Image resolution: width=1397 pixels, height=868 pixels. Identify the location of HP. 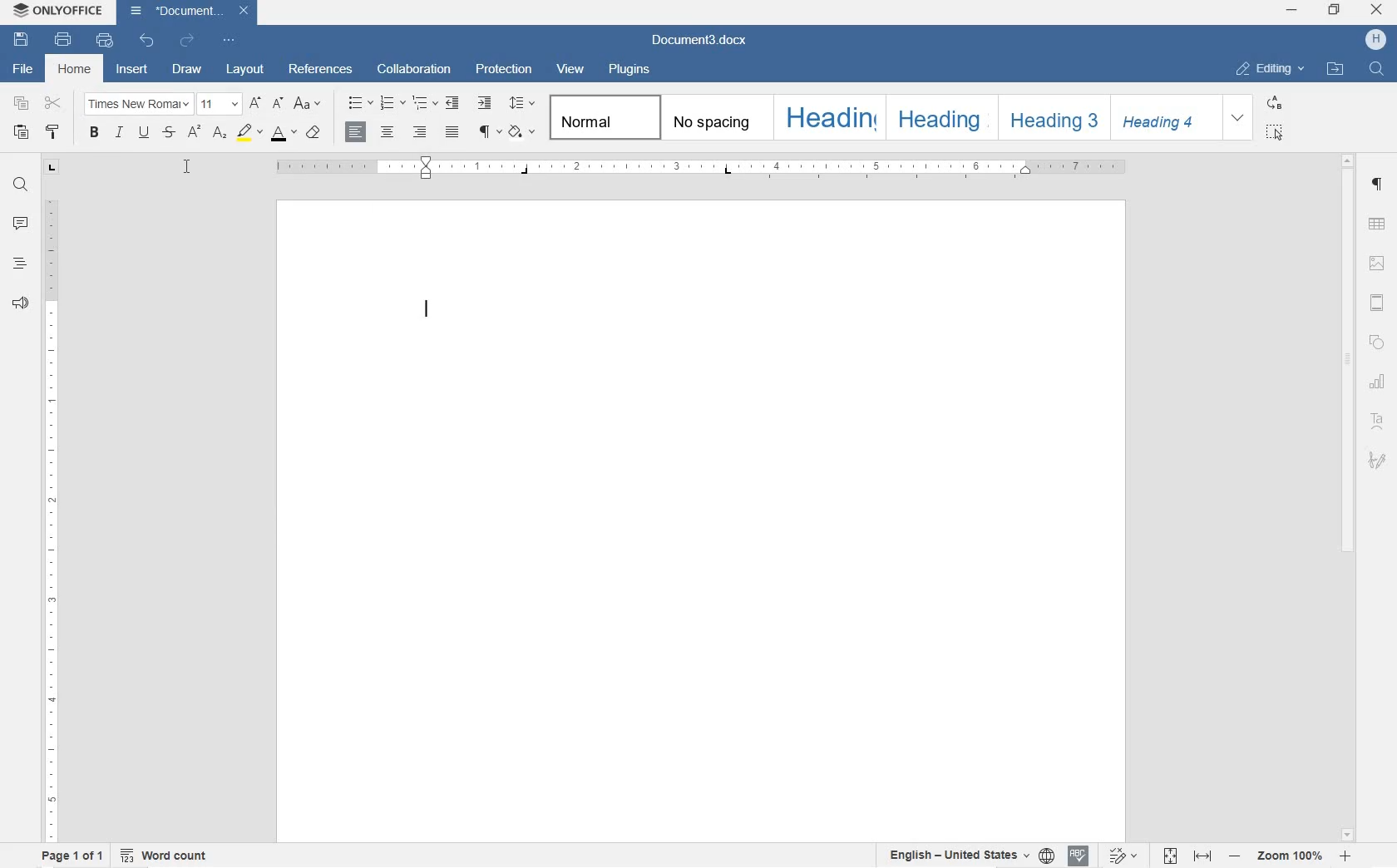
(1374, 40).